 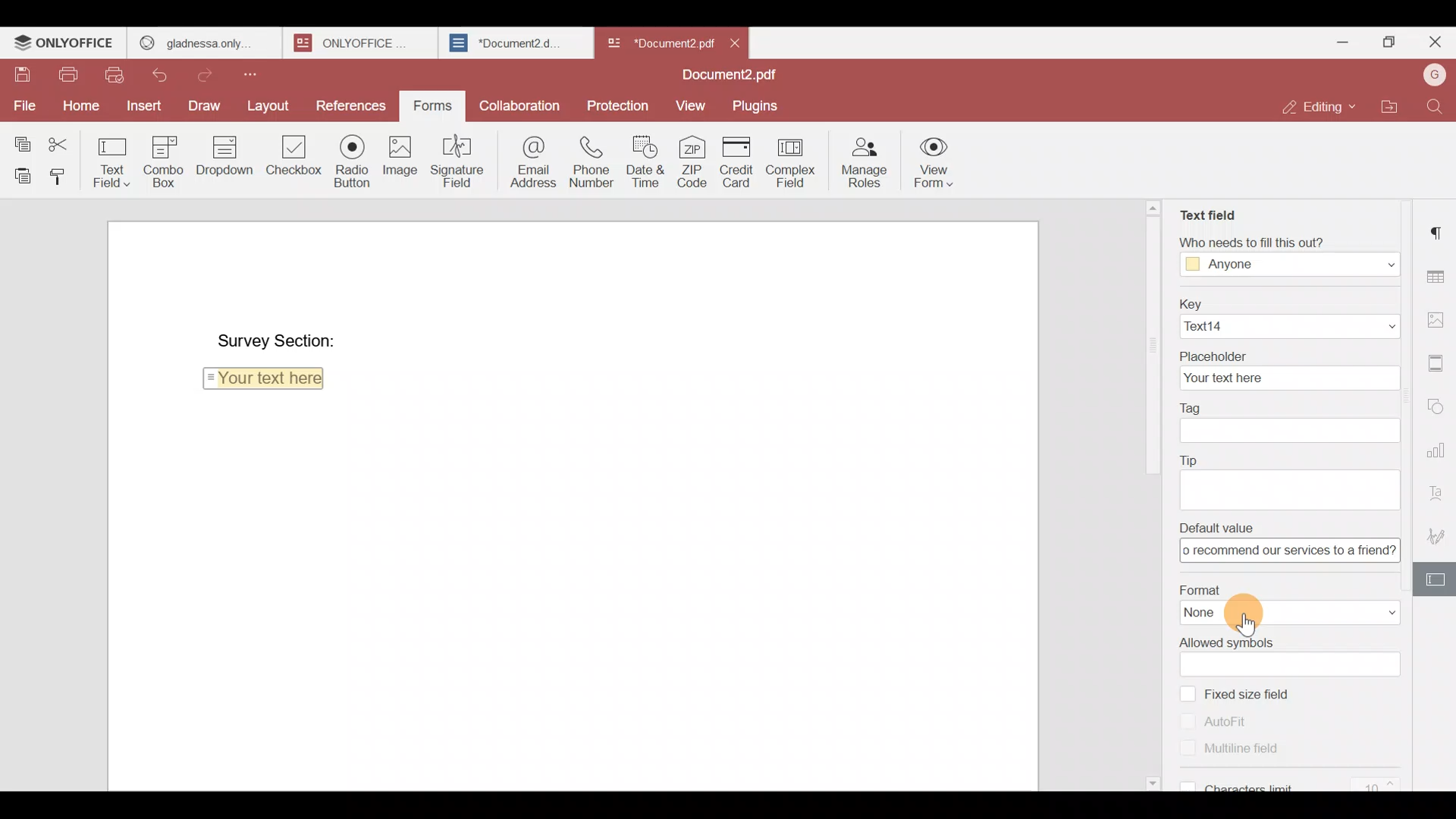 I want to click on Signature field, so click(x=461, y=160).